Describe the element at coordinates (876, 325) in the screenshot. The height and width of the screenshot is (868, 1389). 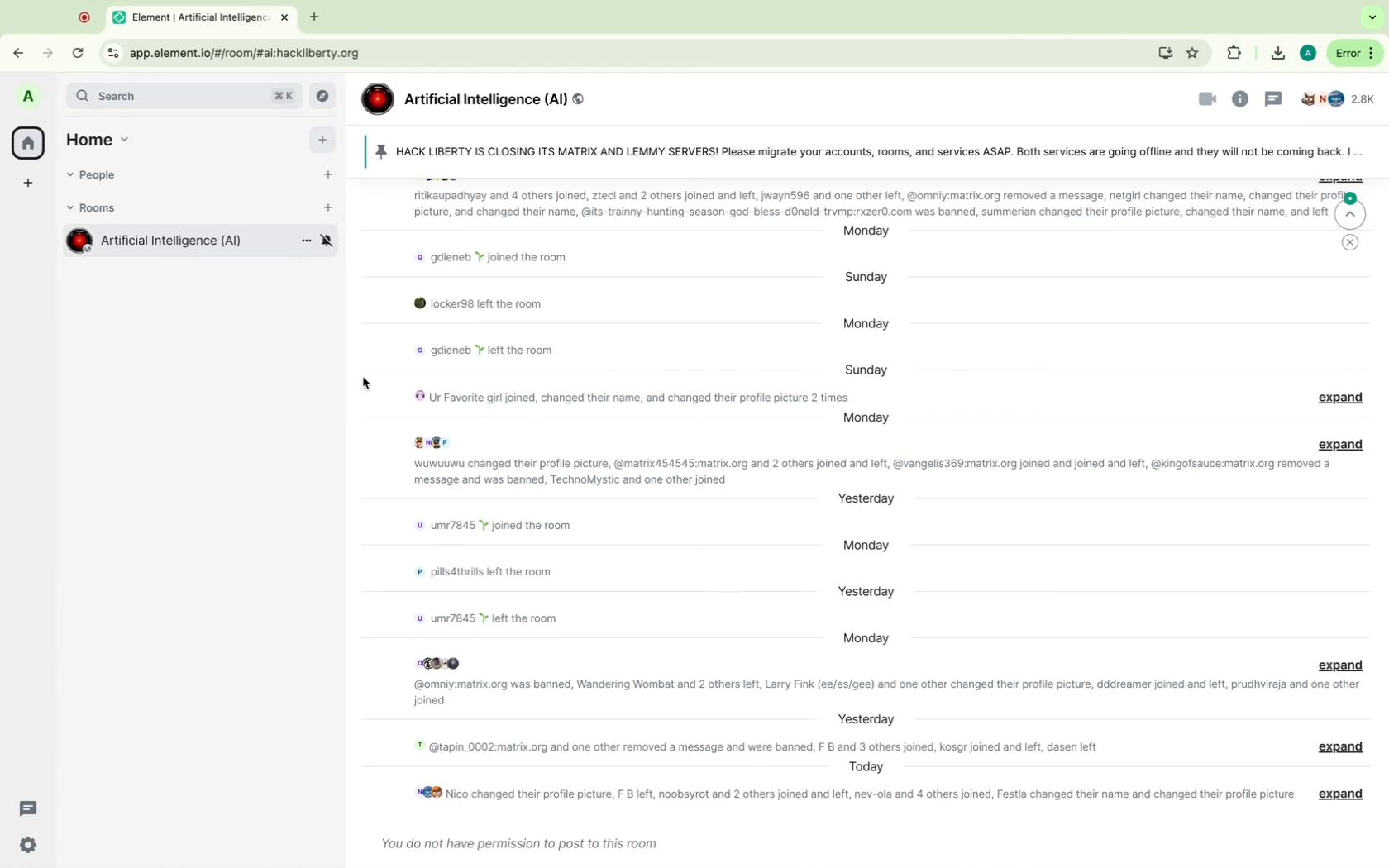
I see `day` at that location.